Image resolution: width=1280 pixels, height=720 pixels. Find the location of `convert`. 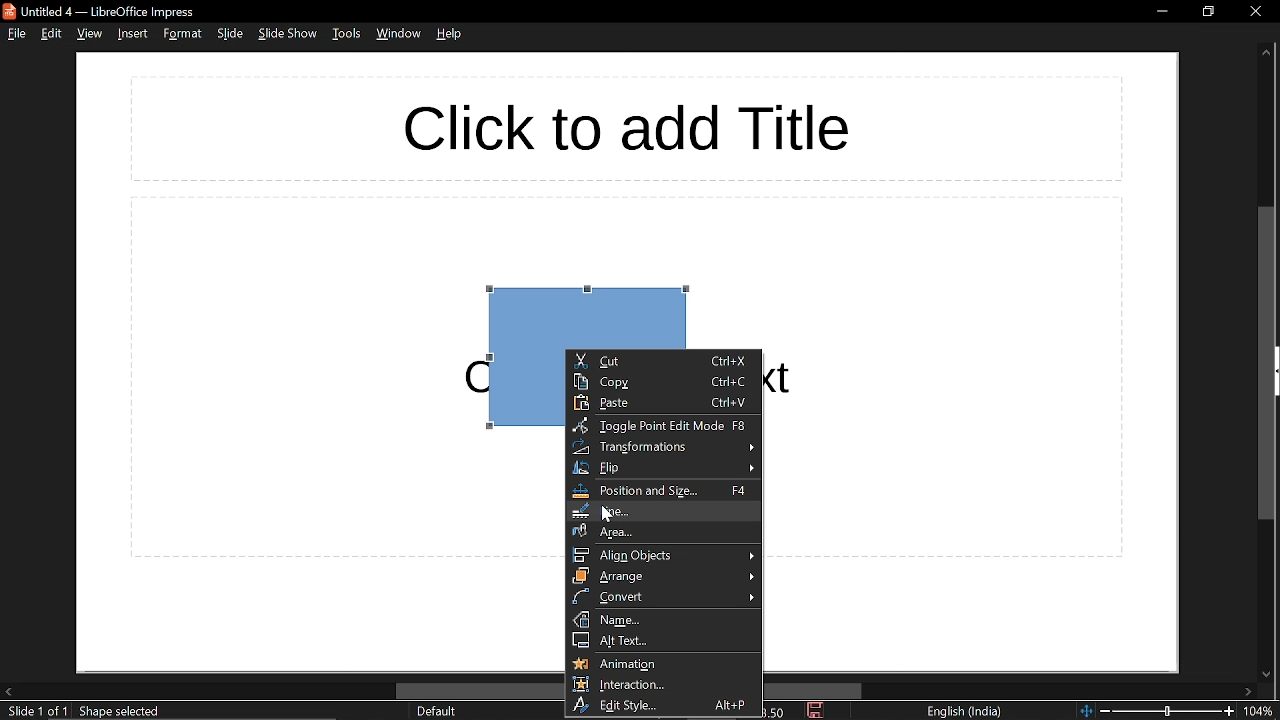

convert is located at coordinates (664, 597).